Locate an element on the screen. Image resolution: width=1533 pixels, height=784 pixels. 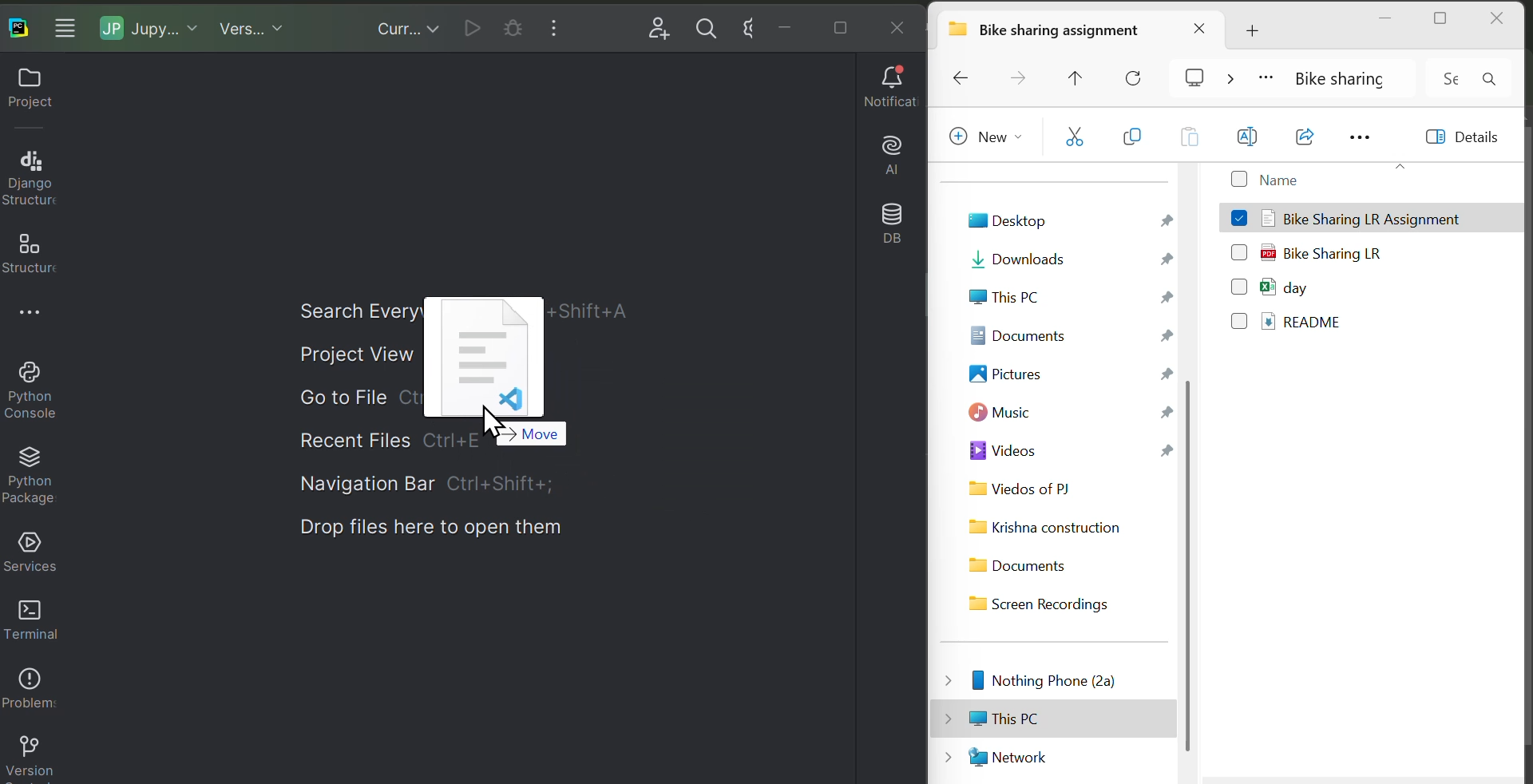
Paycharm is located at coordinates (20, 26).